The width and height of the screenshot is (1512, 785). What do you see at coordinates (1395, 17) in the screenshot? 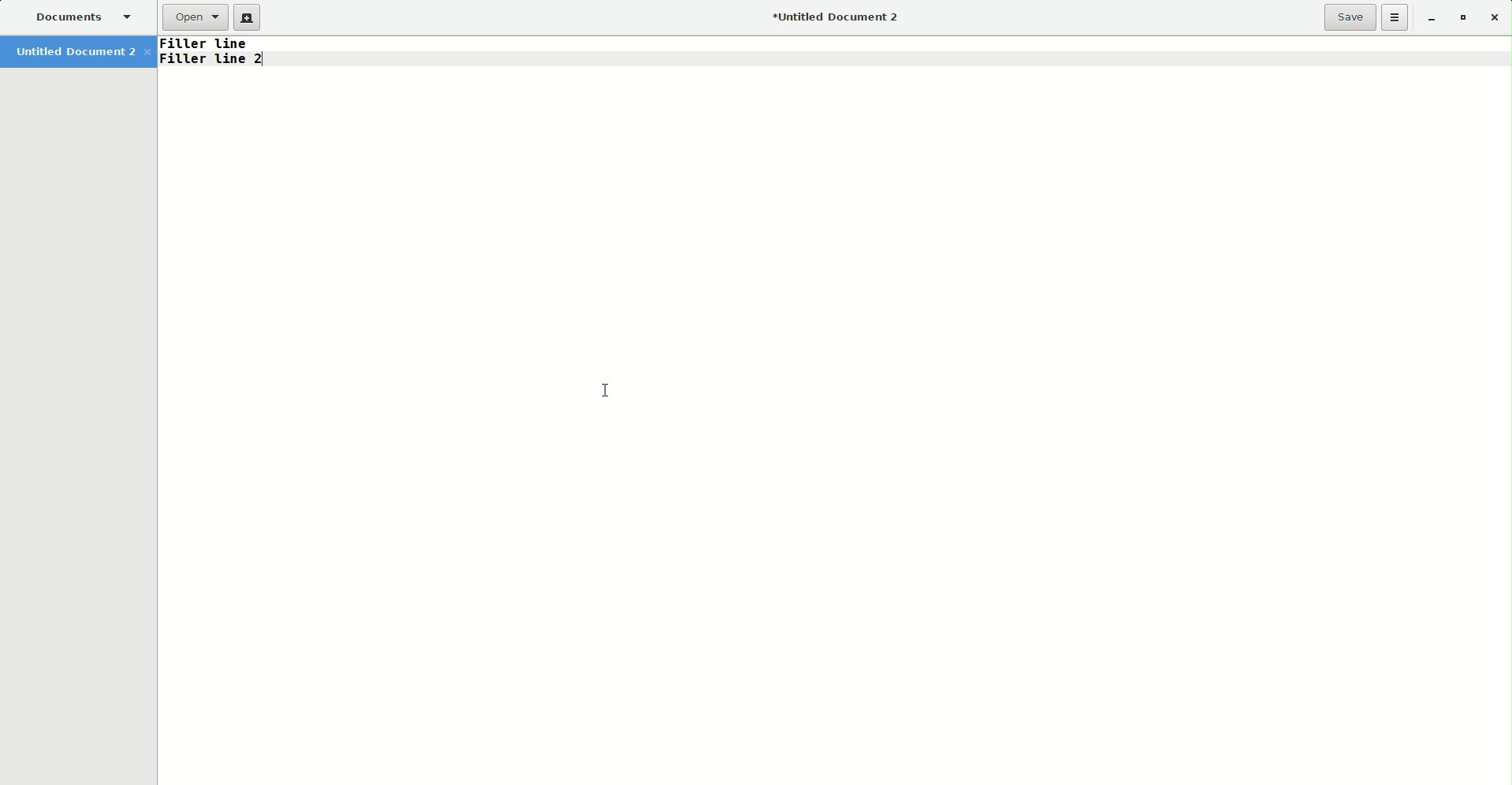
I see `Options` at bounding box center [1395, 17].